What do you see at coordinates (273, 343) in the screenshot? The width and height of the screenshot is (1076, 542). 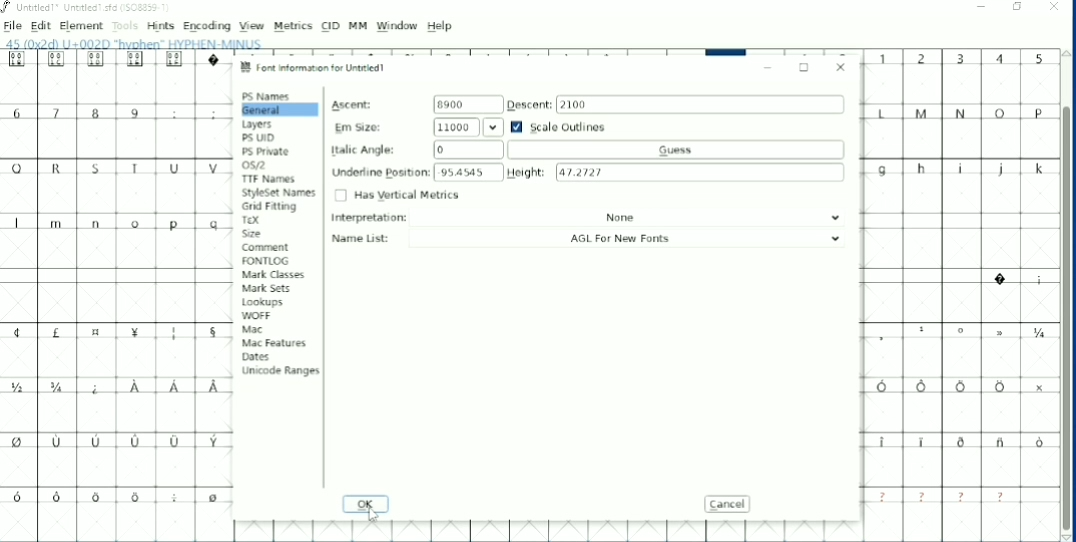 I see `Mac Features` at bounding box center [273, 343].